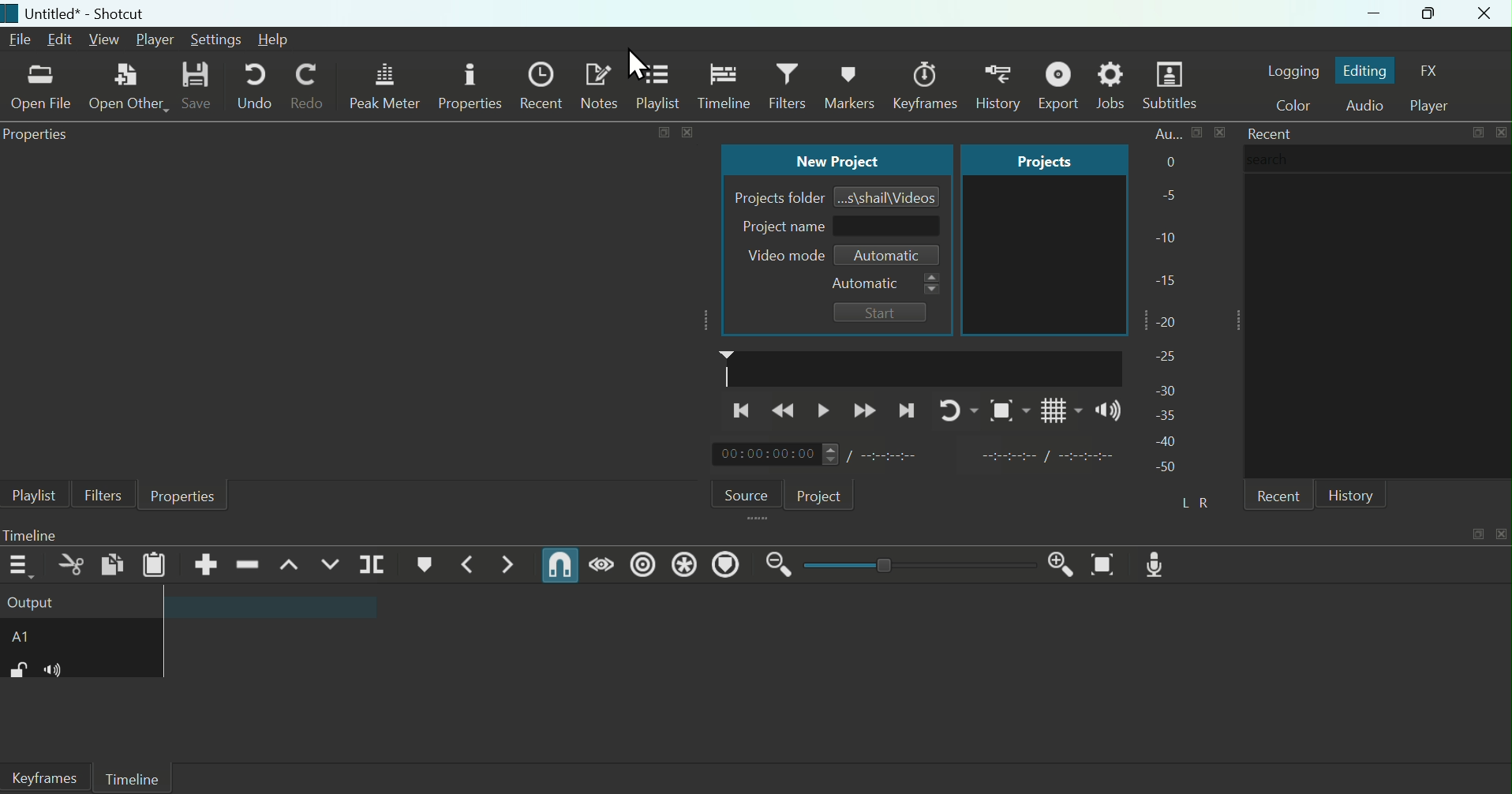 This screenshot has width=1512, height=794. I want to click on search, so click(1378, 159).